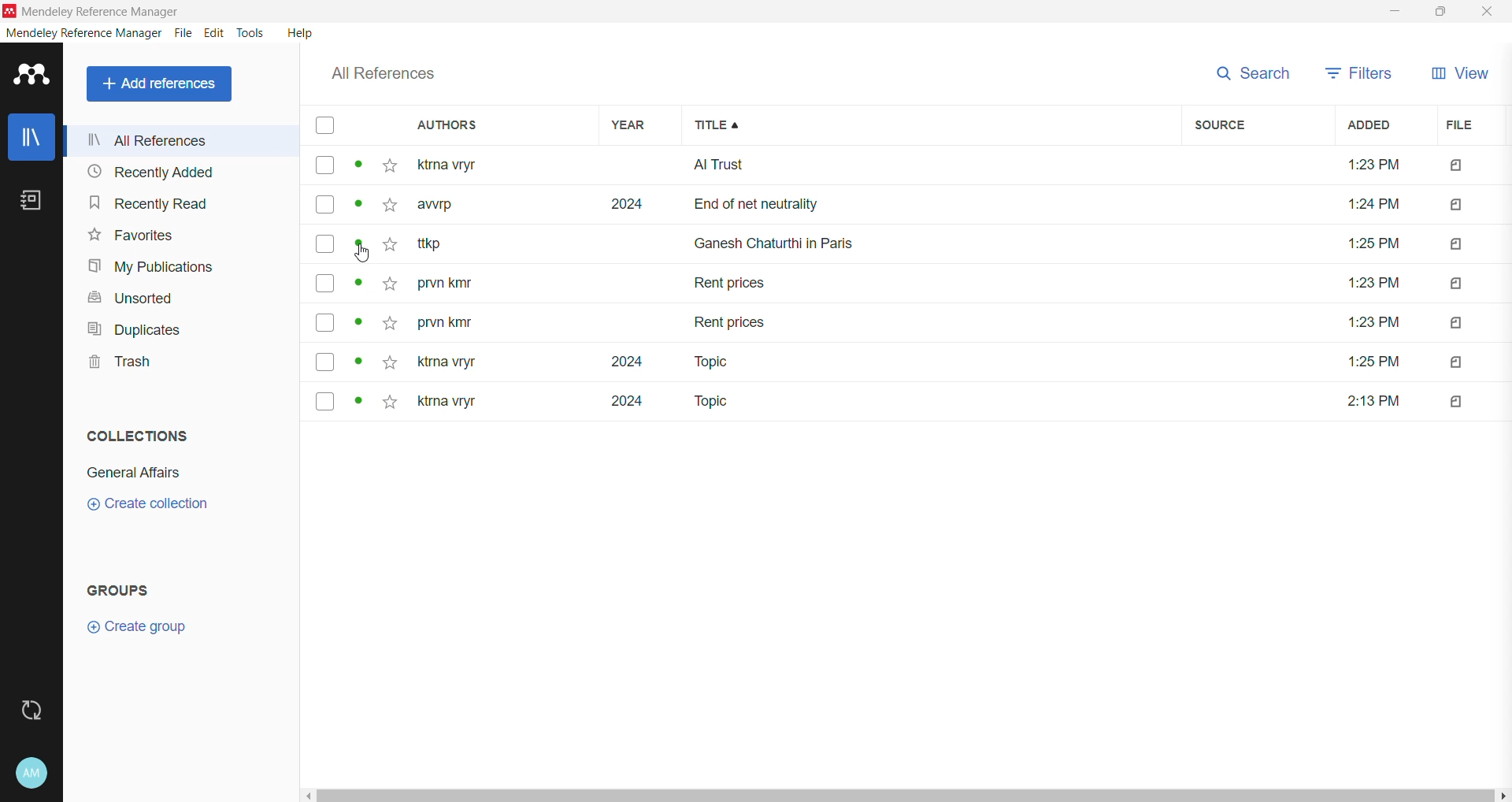  What do you see at coordinates (1467, 281) in the screenshot?
I see `Files Added` at bounding box center [1467, 281].